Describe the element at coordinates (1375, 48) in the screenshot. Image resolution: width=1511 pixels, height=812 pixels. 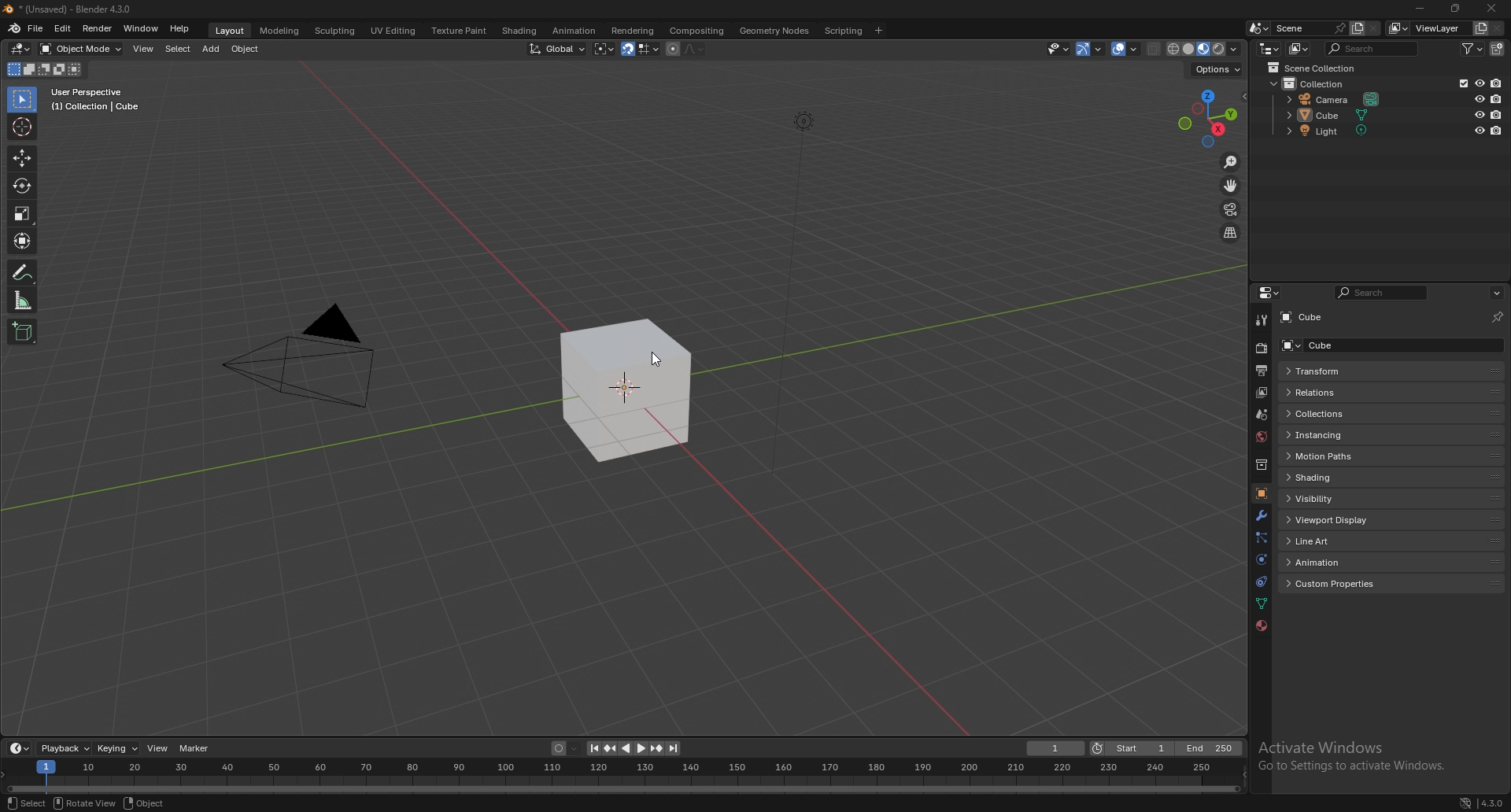
I see `search` at that location.